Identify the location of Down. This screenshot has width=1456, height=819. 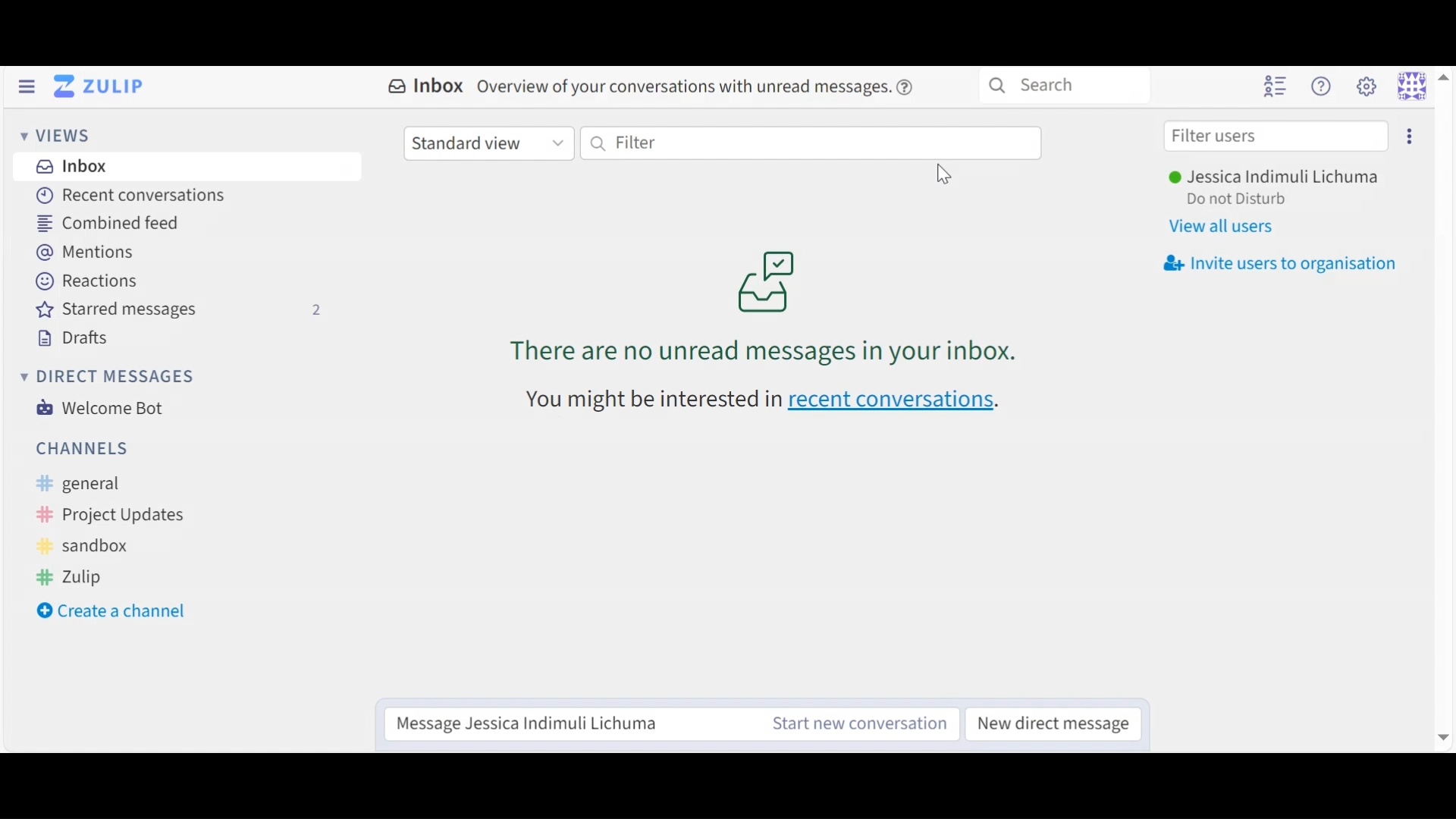
(1441, 731).